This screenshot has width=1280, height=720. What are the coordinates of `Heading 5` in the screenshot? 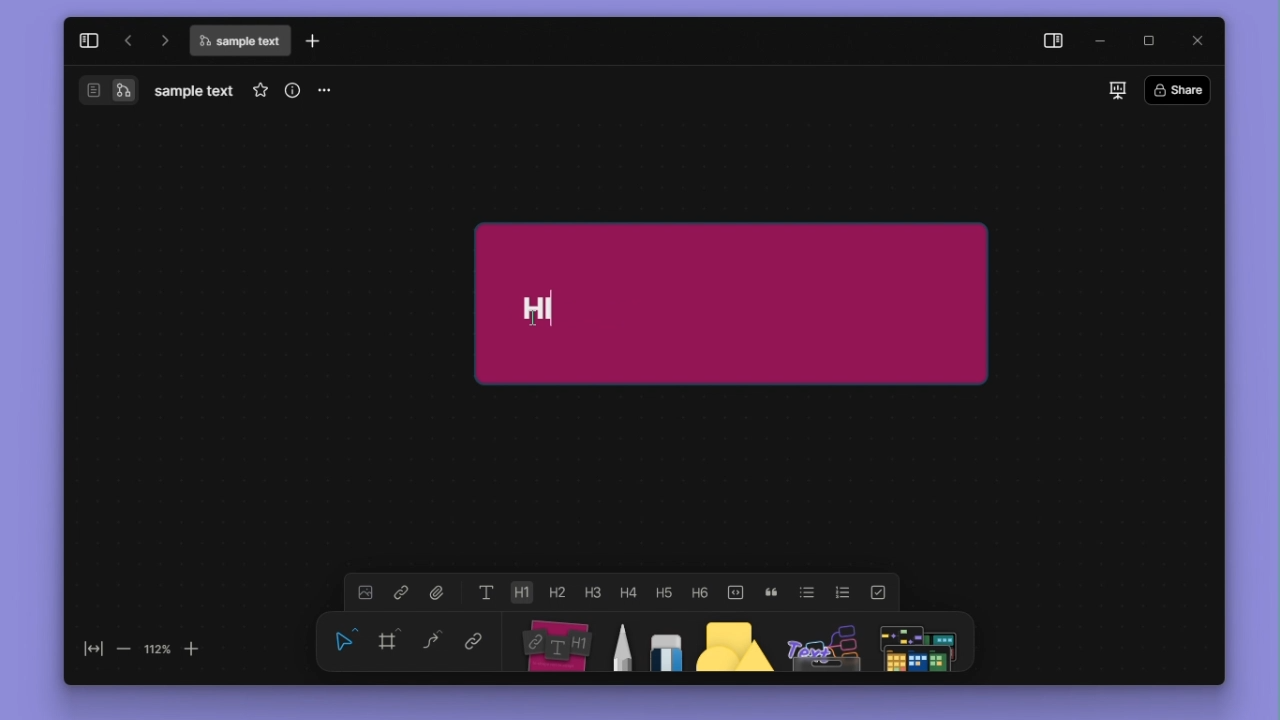 It's located at (664, 592).